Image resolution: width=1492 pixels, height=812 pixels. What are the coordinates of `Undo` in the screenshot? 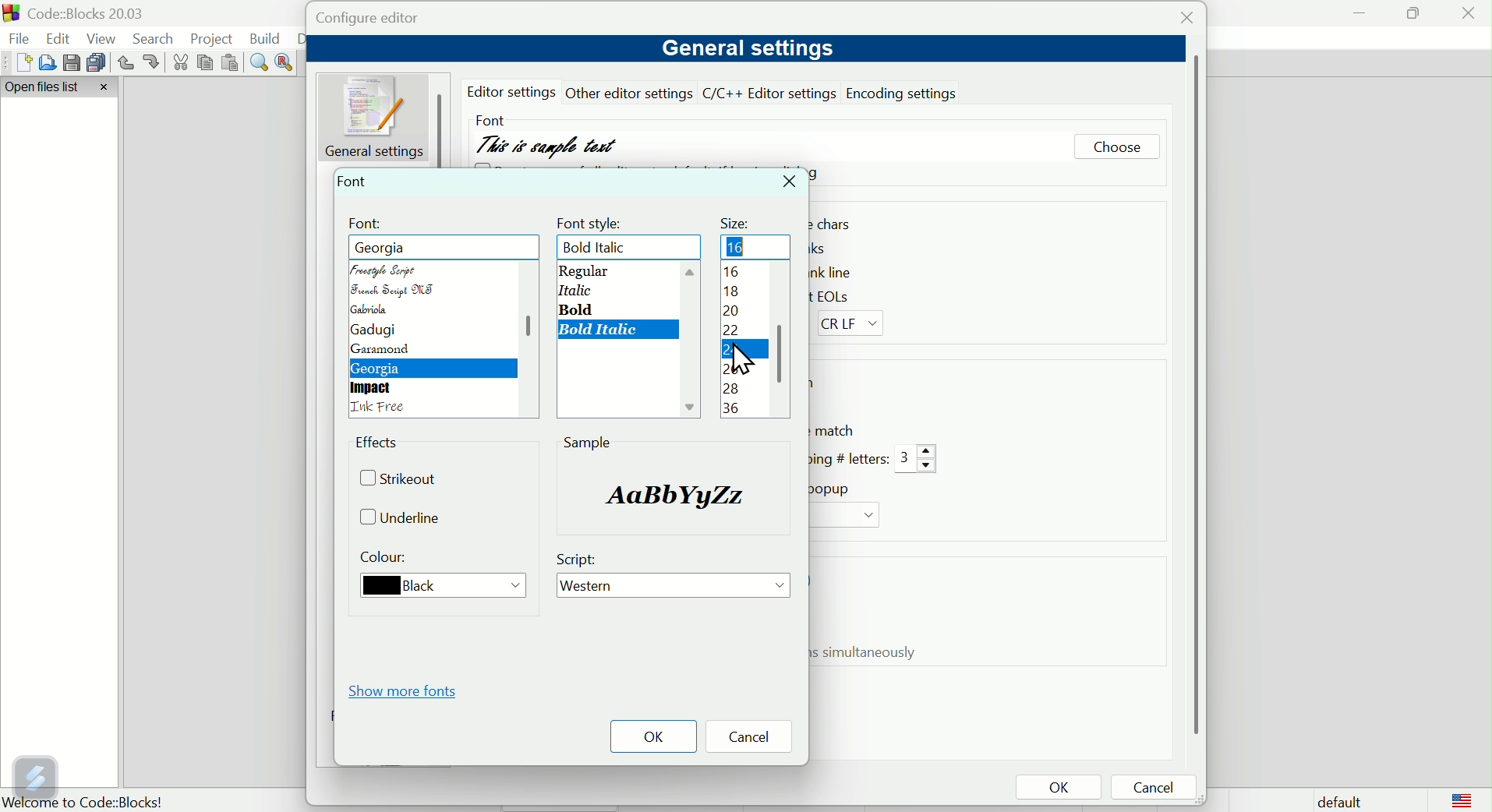 It's located at (125, 63).